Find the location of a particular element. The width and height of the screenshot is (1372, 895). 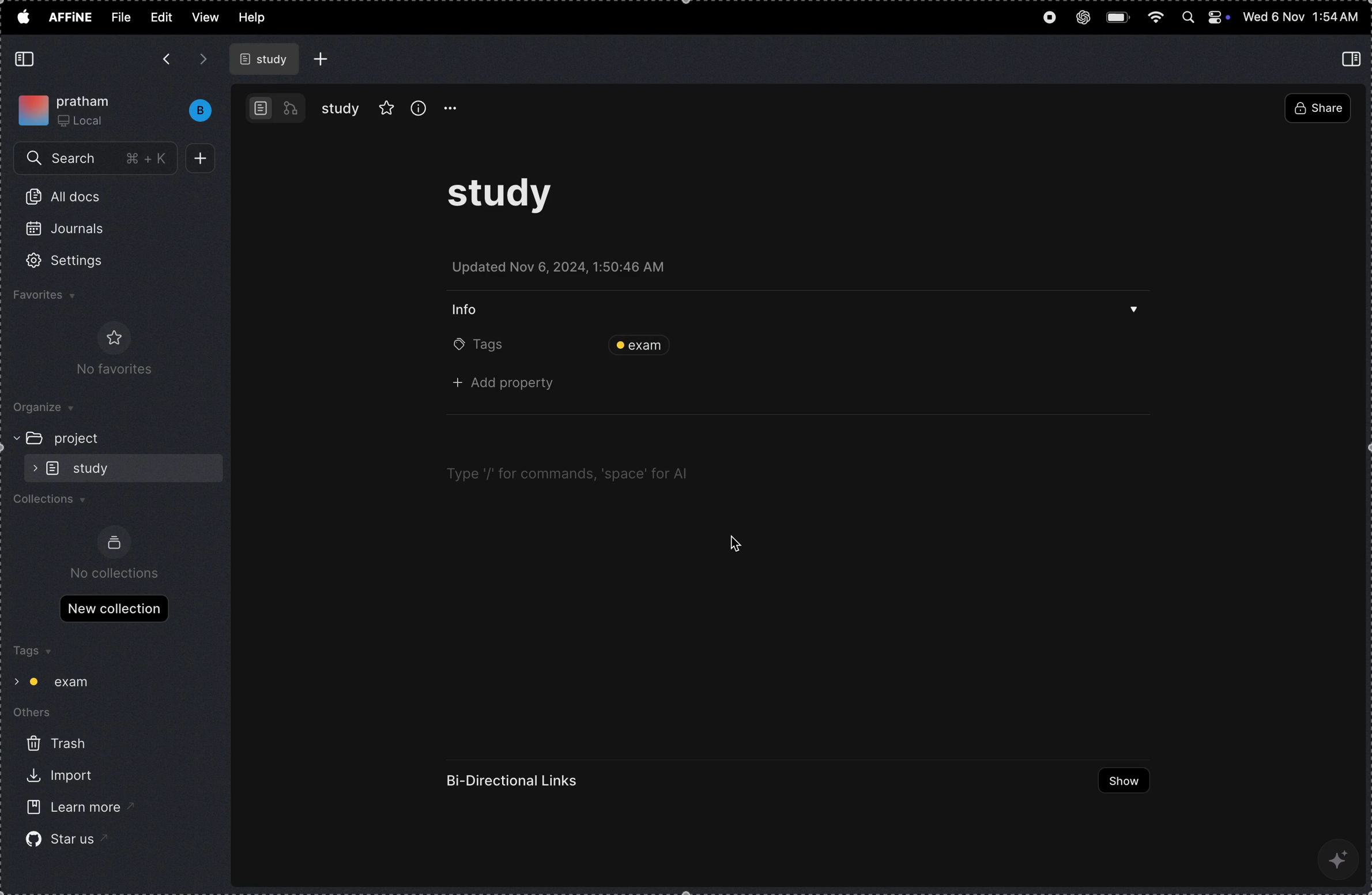

sub folder study is located at coordinates (95, 467).